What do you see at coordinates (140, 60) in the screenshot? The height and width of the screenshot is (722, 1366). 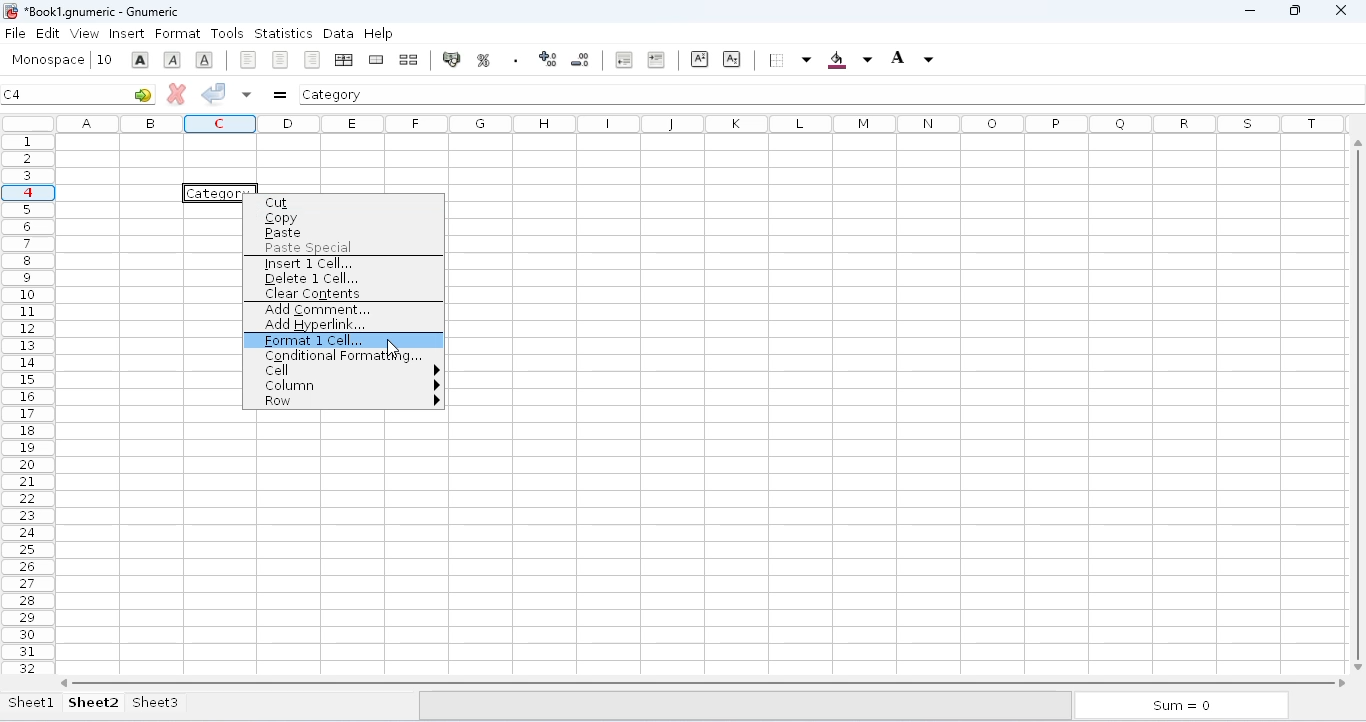 I see `bold` at bounding box center [140, 60].